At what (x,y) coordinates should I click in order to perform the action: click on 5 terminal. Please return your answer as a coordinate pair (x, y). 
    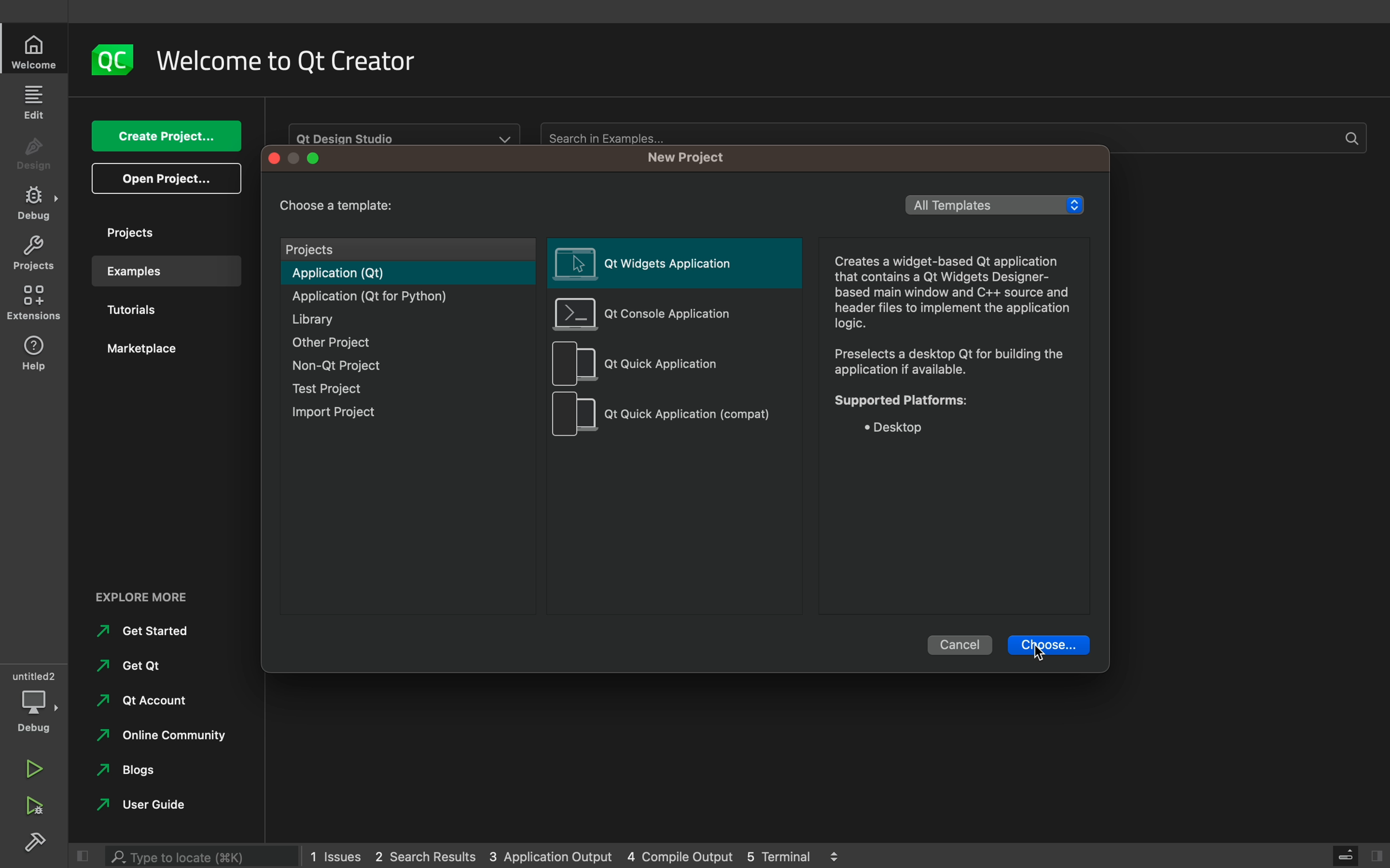
    Looking at the image, I should click on (784, 855).